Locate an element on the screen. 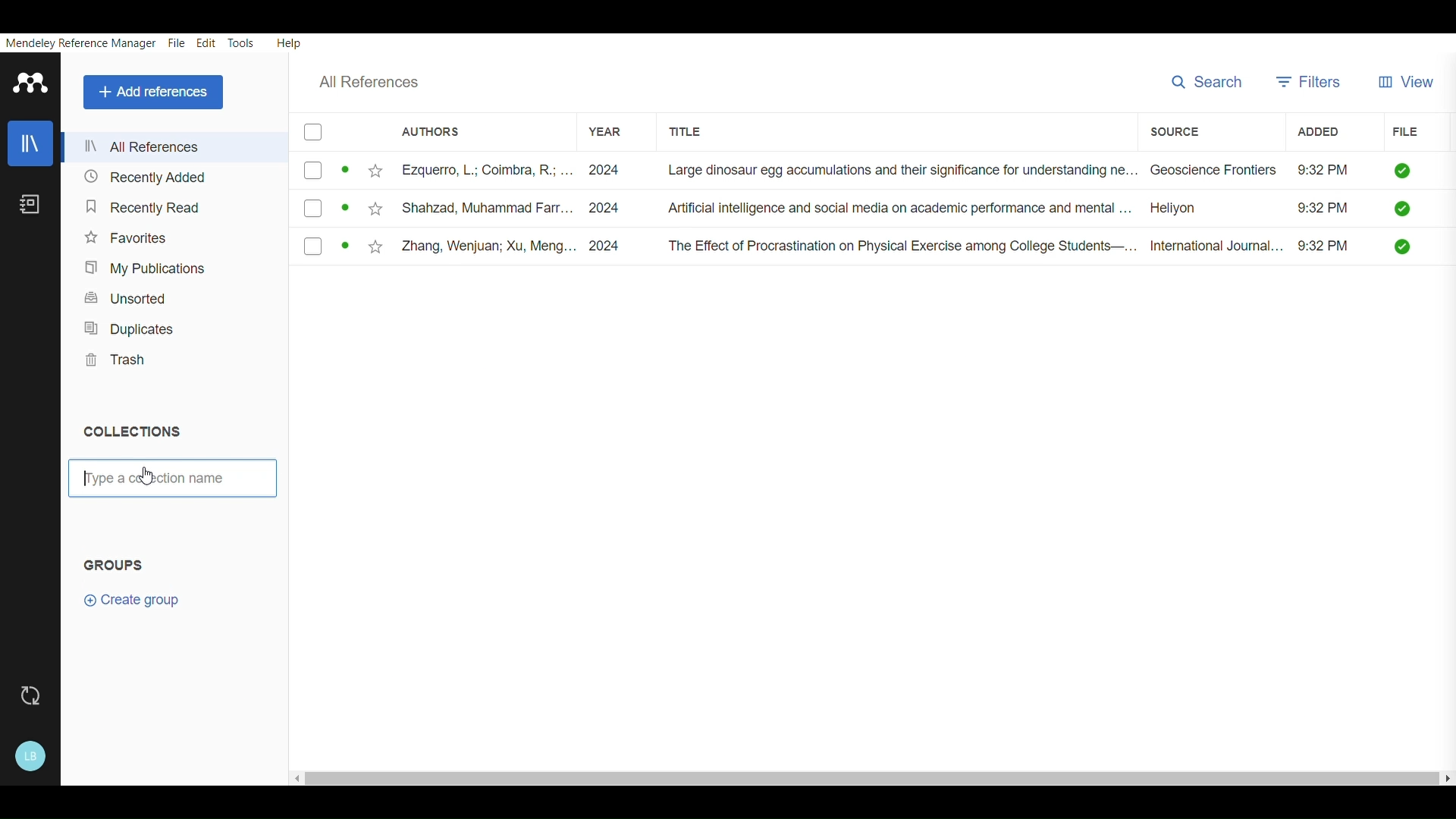  Duplicates is located at coordinates (127, 325).